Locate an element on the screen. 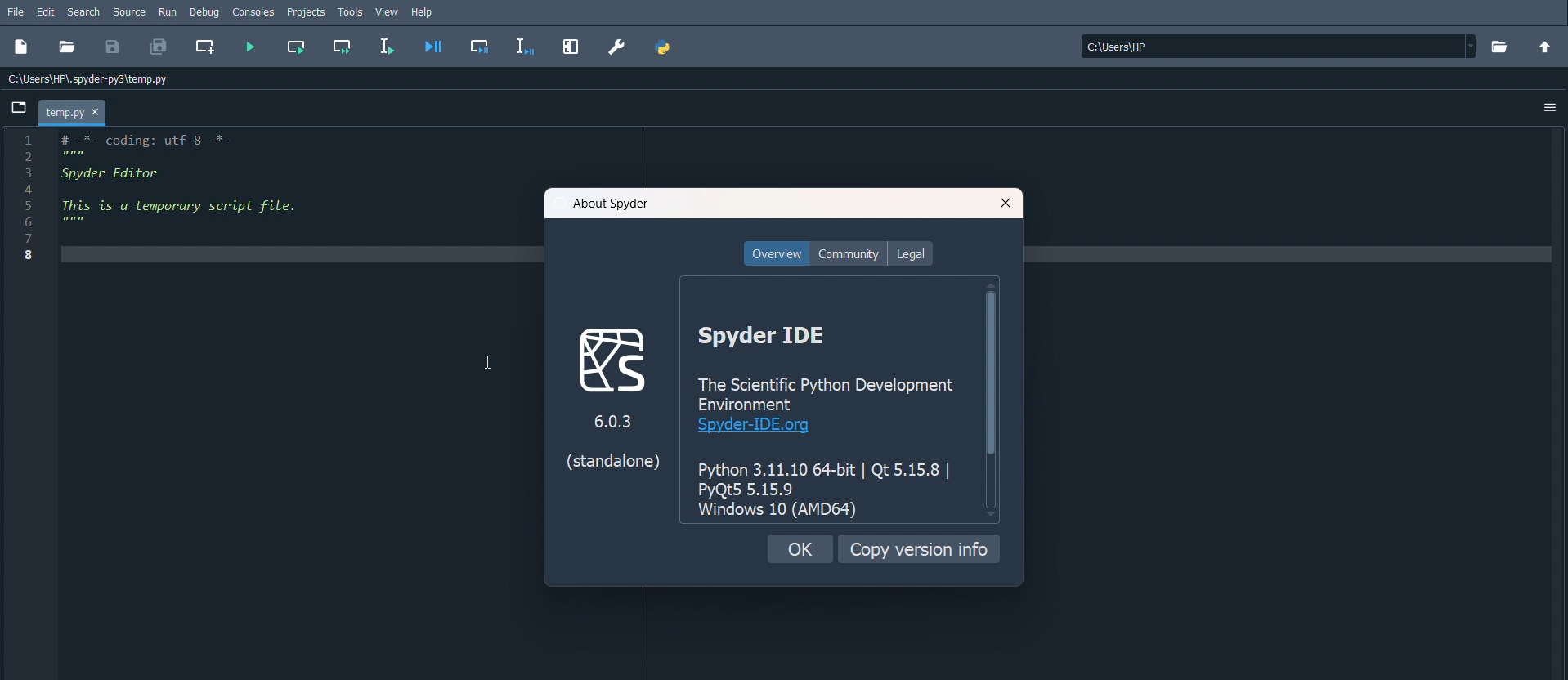 This screenshot has height=680, width=1568. Run current cell is located at coordinates (295, 47).